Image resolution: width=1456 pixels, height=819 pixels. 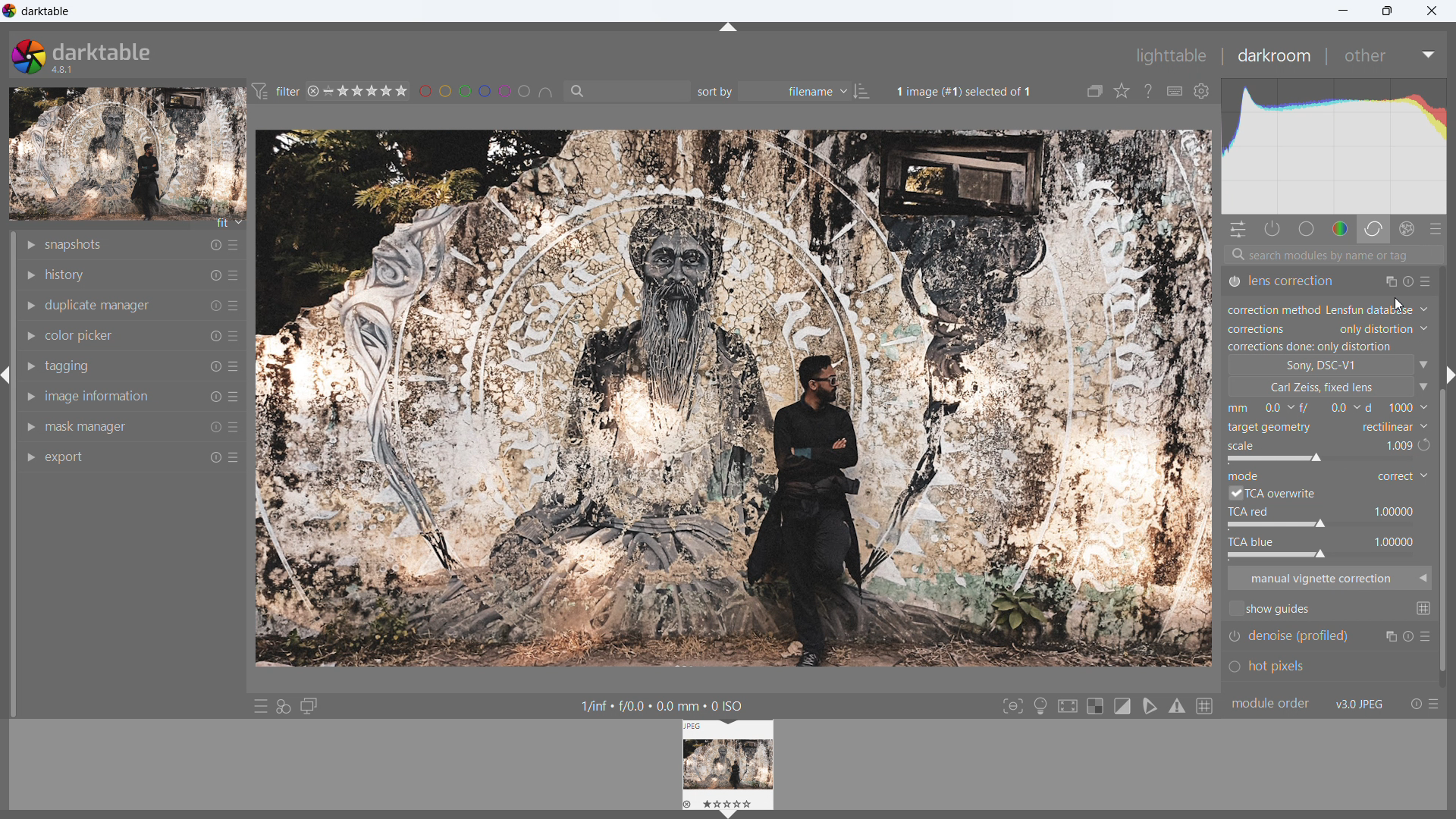 I want to click on no rating, so click(x=332, y=93).